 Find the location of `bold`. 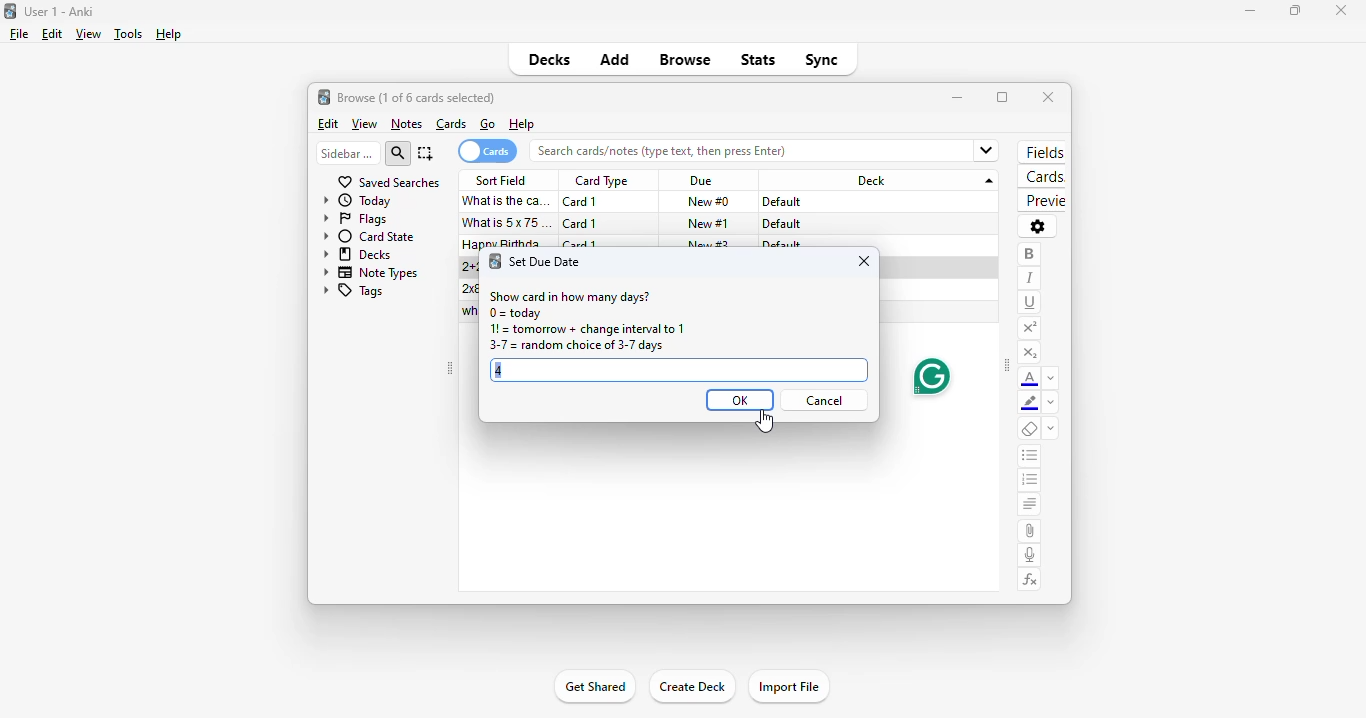

bold is located at coordinates (1029, 254).